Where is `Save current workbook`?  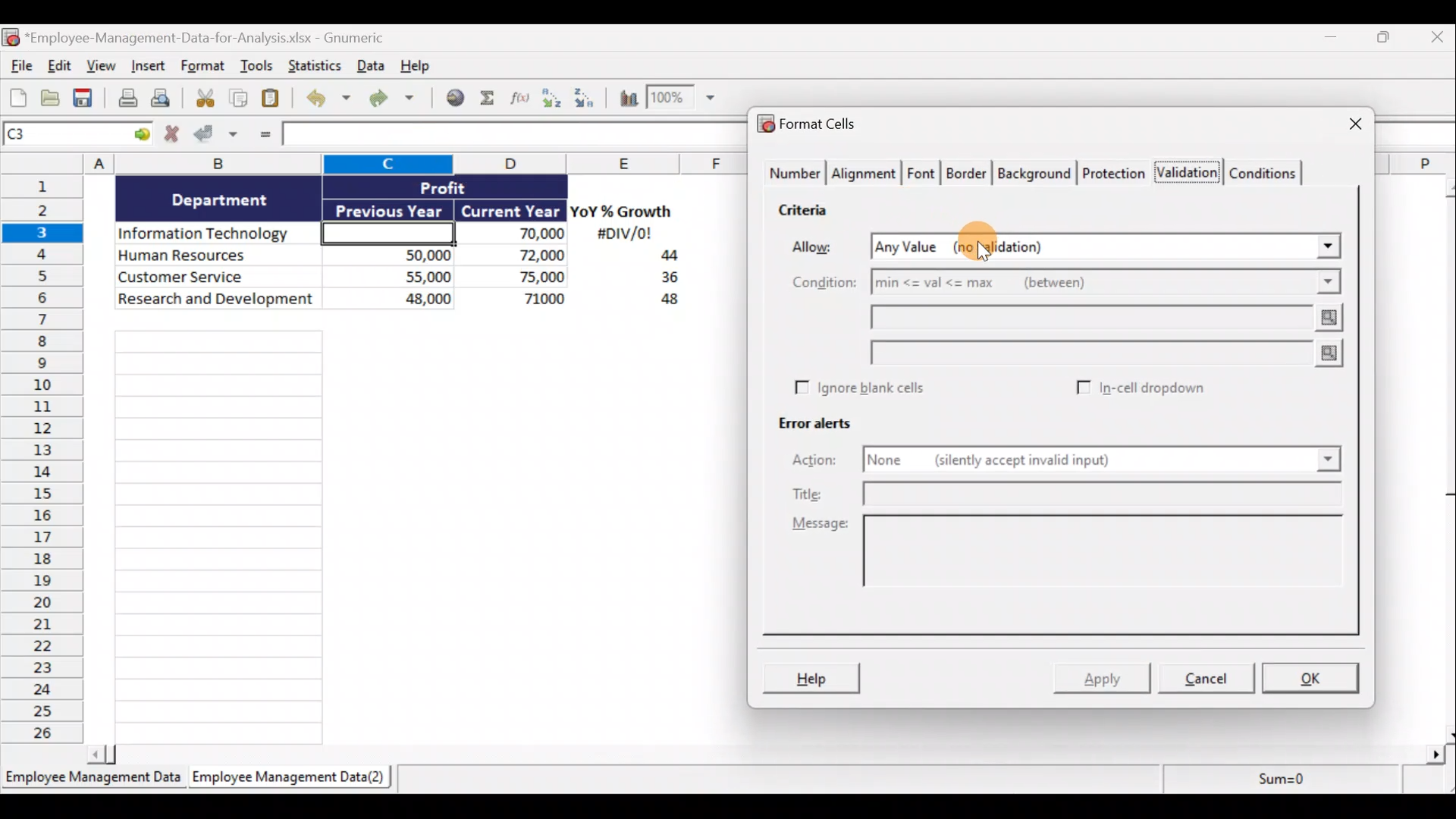
Save current workbook is located at coordinates (84, 99).